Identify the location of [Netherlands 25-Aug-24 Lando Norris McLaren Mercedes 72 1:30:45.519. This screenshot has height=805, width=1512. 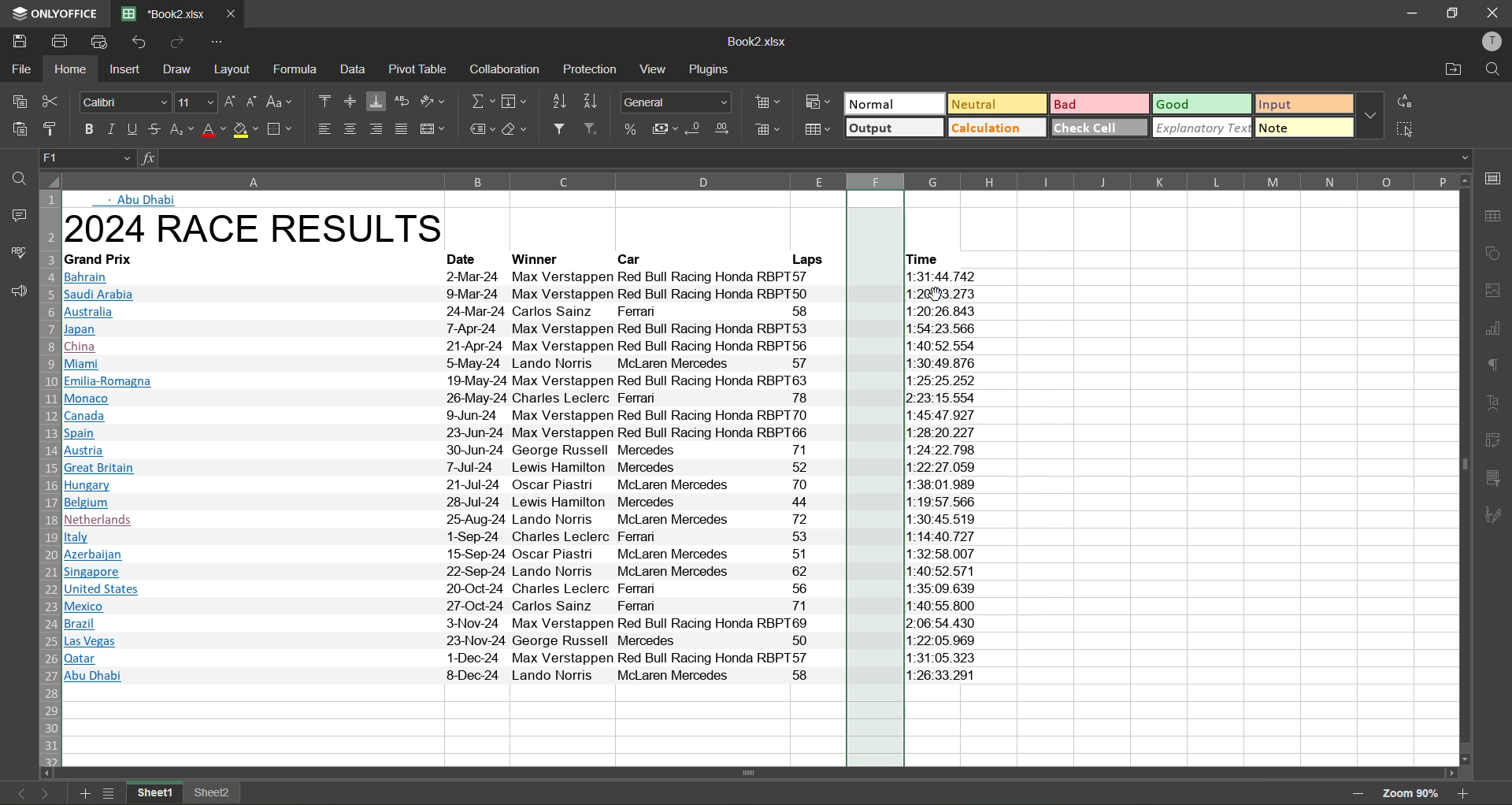
(447, 521).